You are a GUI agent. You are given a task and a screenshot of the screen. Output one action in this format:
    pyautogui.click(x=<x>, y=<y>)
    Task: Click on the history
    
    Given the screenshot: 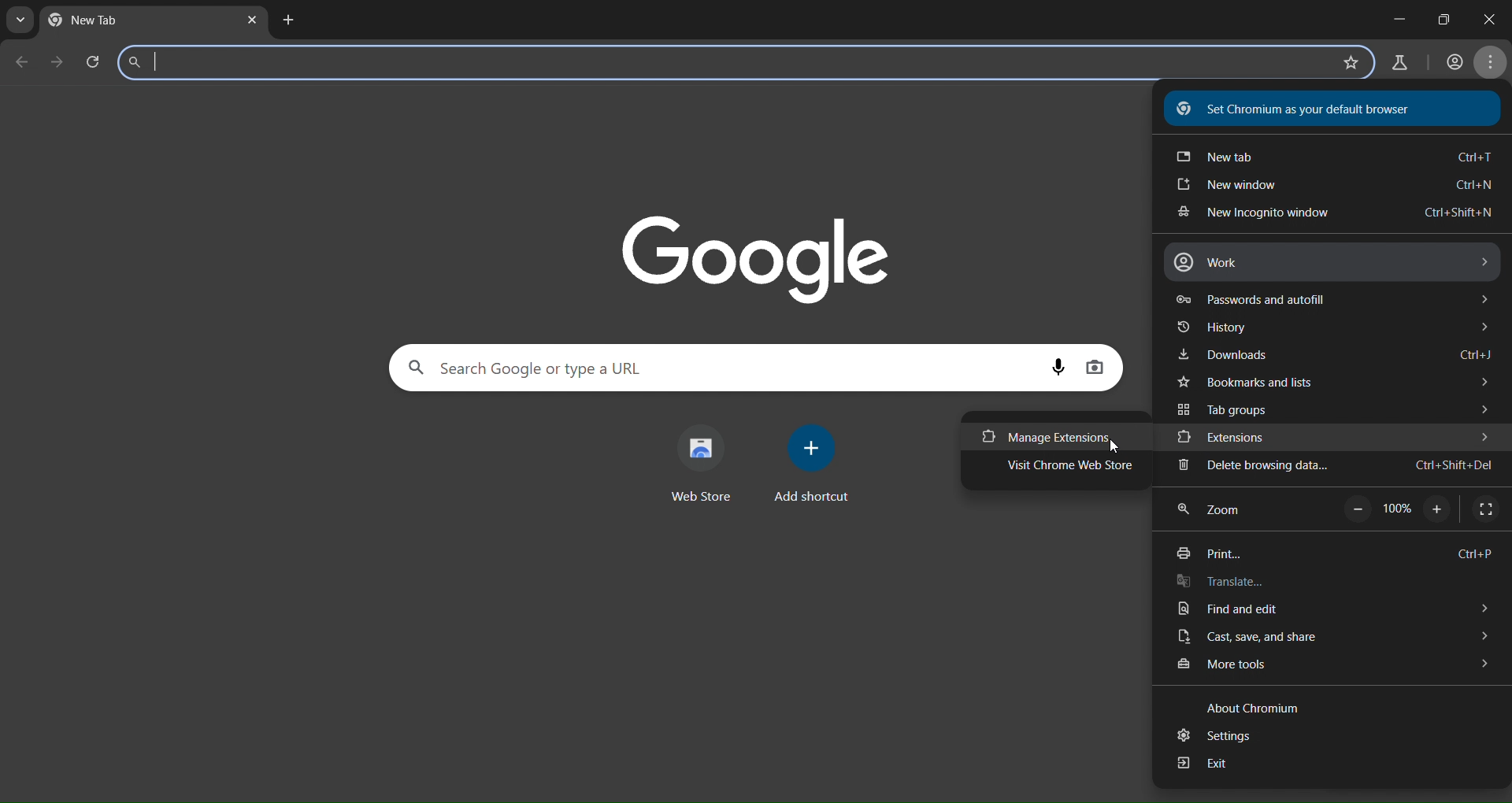 What is the action you would take?
    pyautogui.click(x=1332, y=329)
    